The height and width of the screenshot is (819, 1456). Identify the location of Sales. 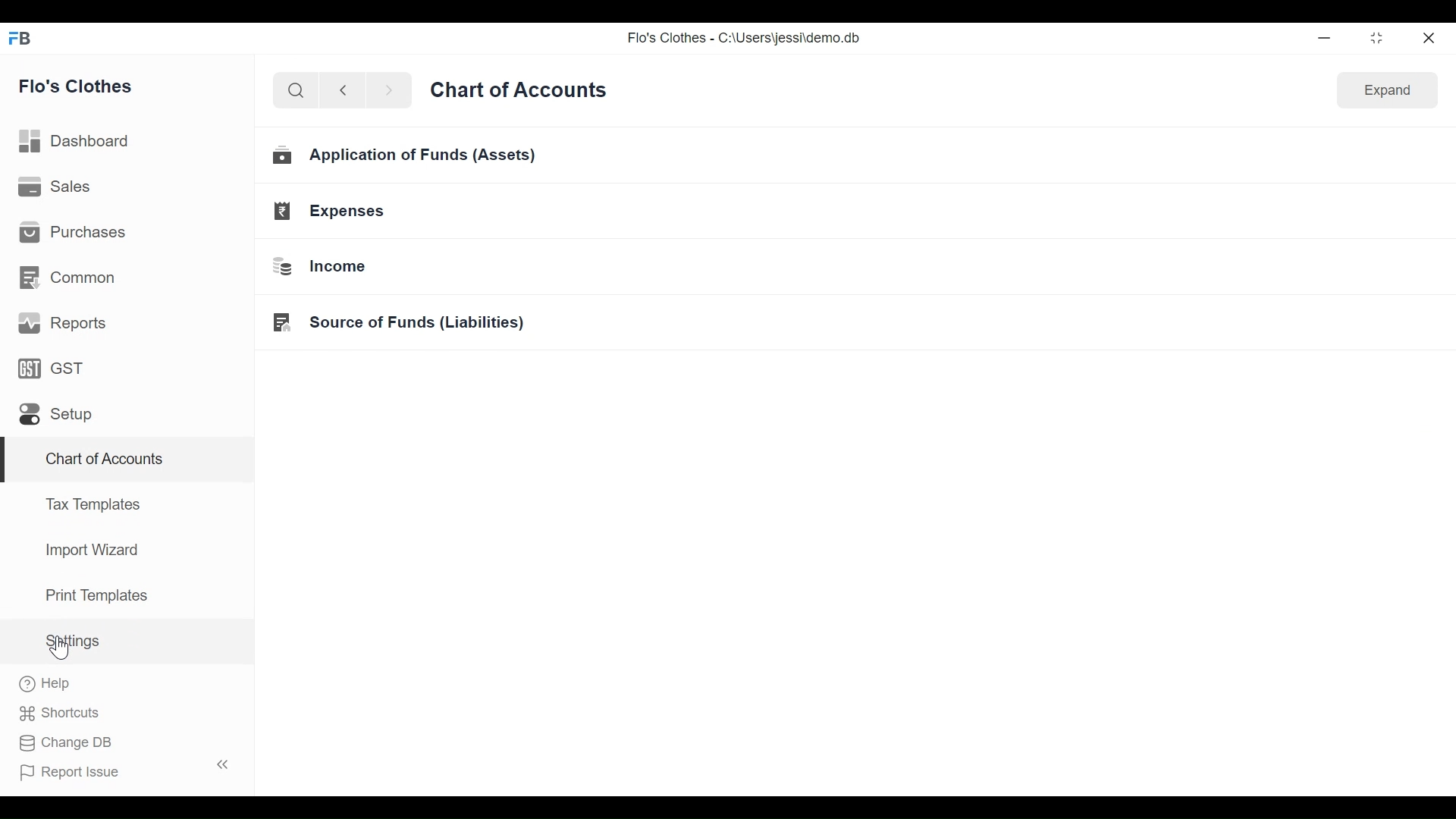
(55, 187).